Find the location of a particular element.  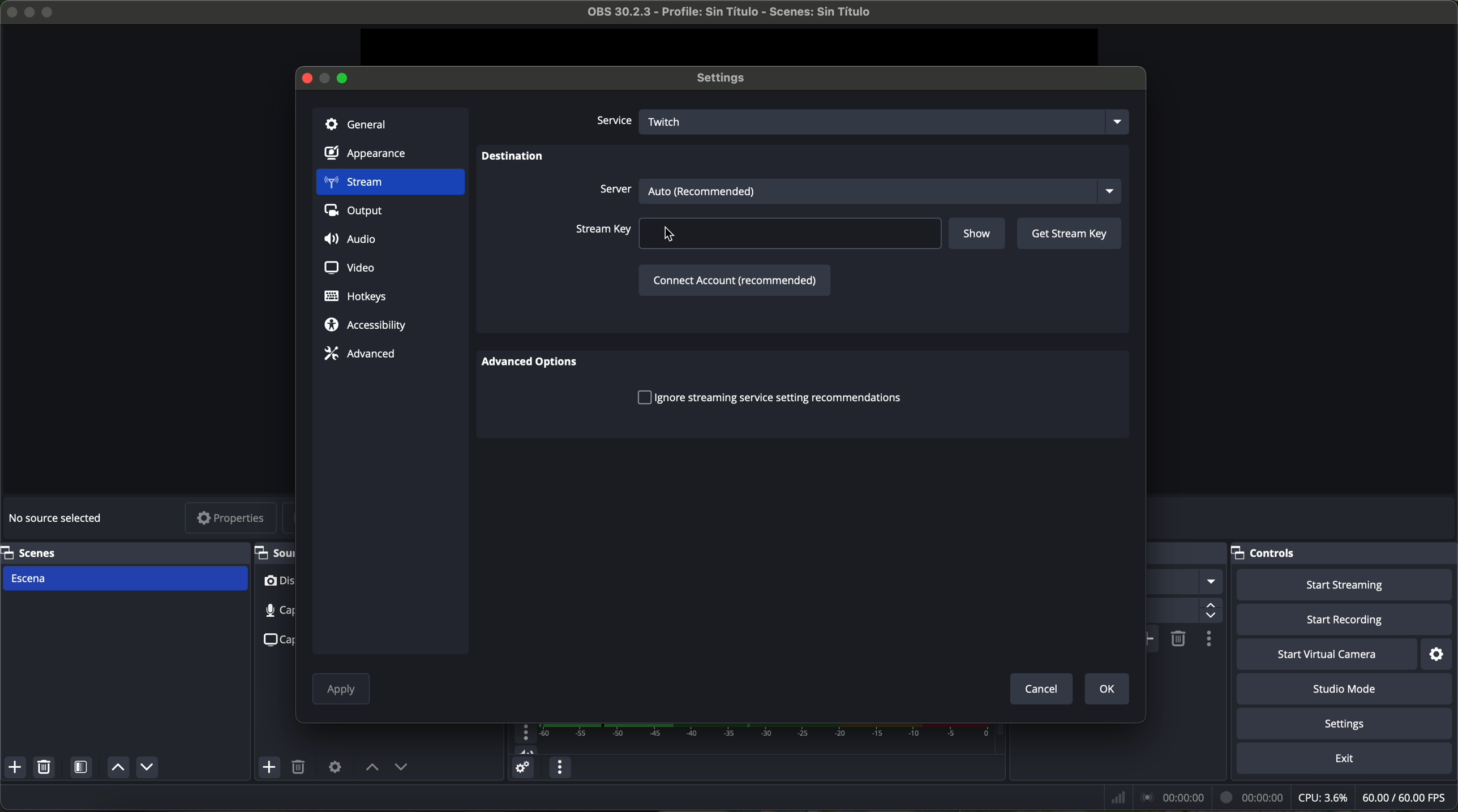

cancel is located at coordinates (1040, 688).